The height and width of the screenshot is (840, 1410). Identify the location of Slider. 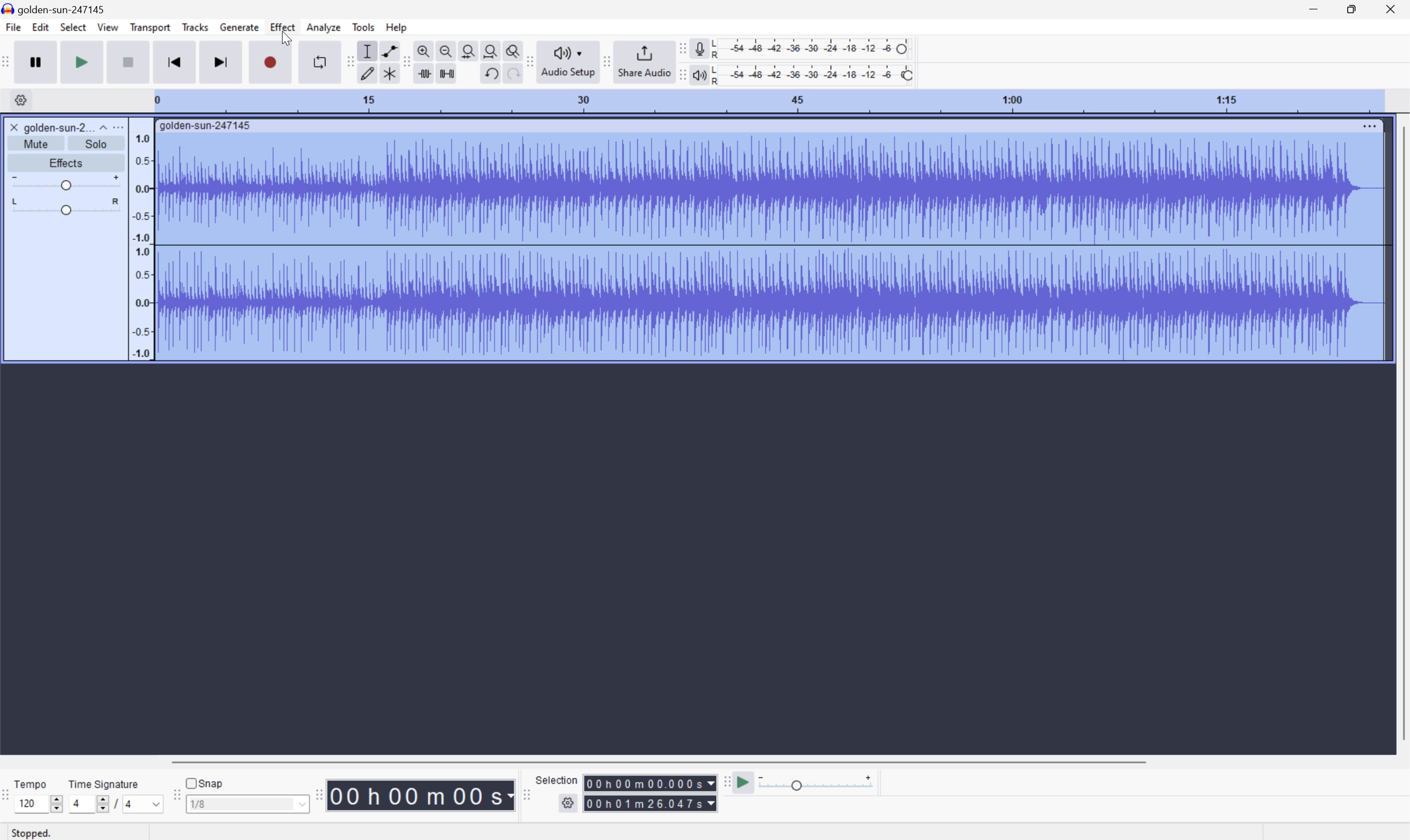
(57, 804).